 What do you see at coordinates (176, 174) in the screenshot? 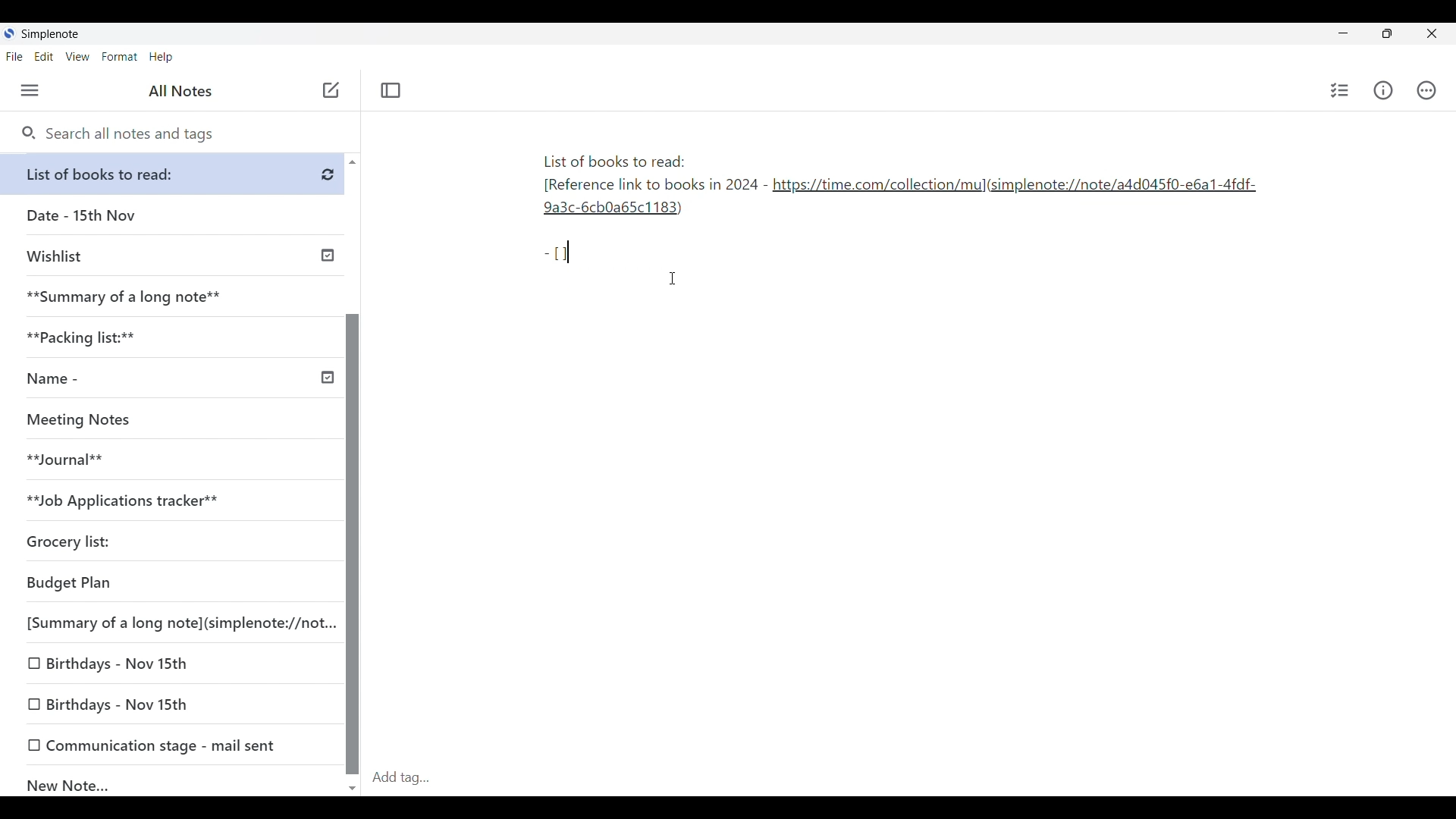
I see `List of books to read:` at bounding box center [176, 174].